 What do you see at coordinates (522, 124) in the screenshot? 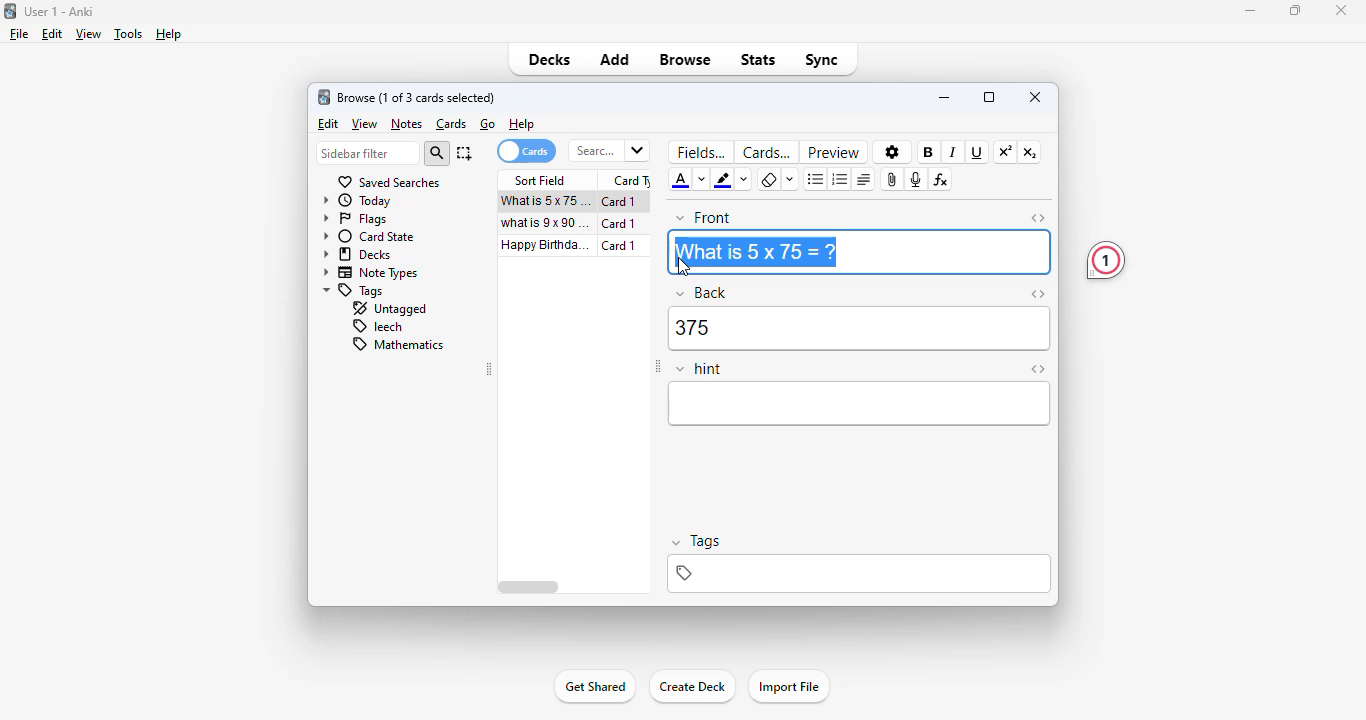
I see `help` at bounding box center [522, 124].